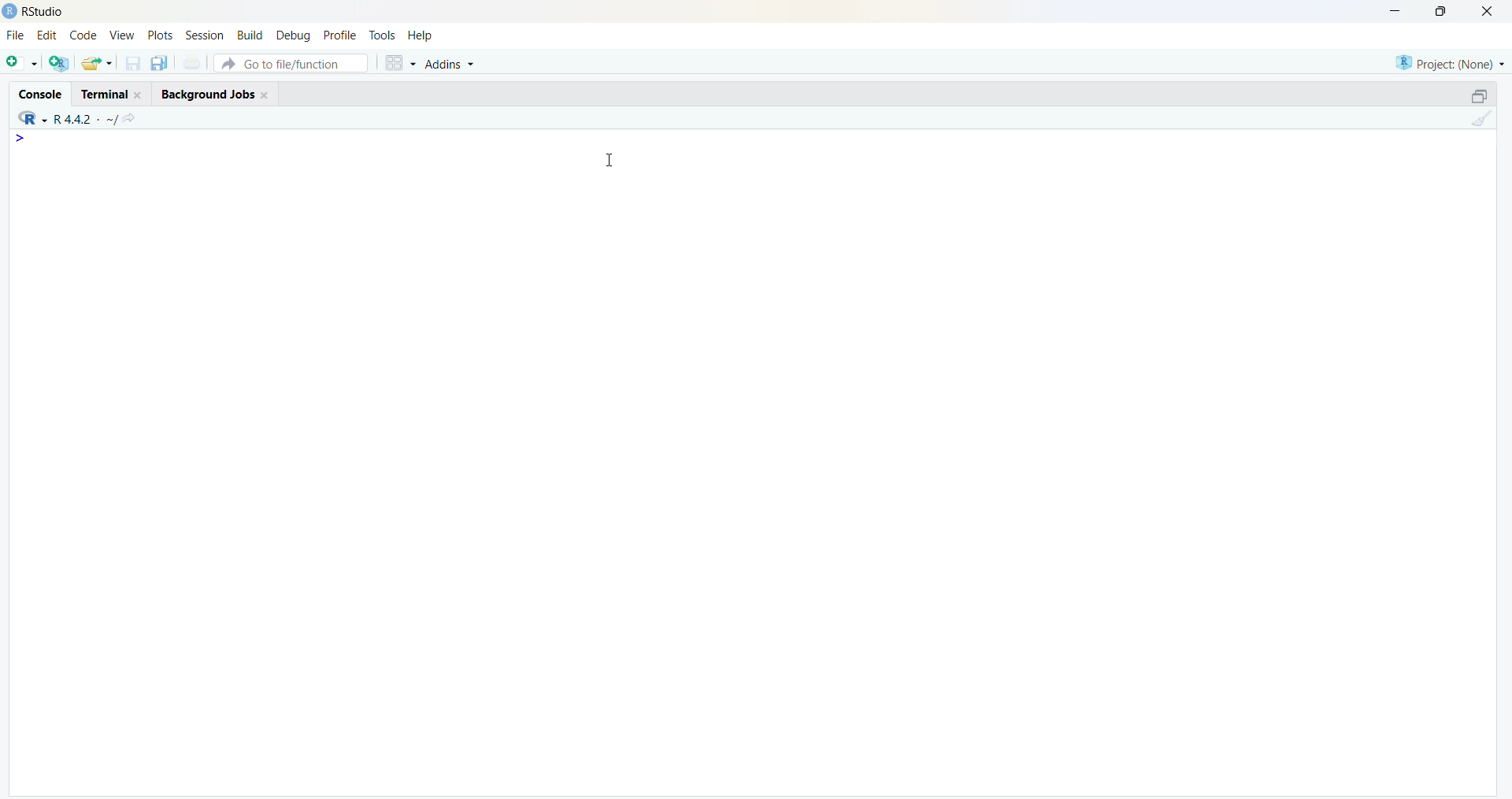 The height and width of the screenshot is (799, 1512). What do you see at coordinates (46, 12) in the screenshot?
I see `RStudio` at bounding box center [46, 12].